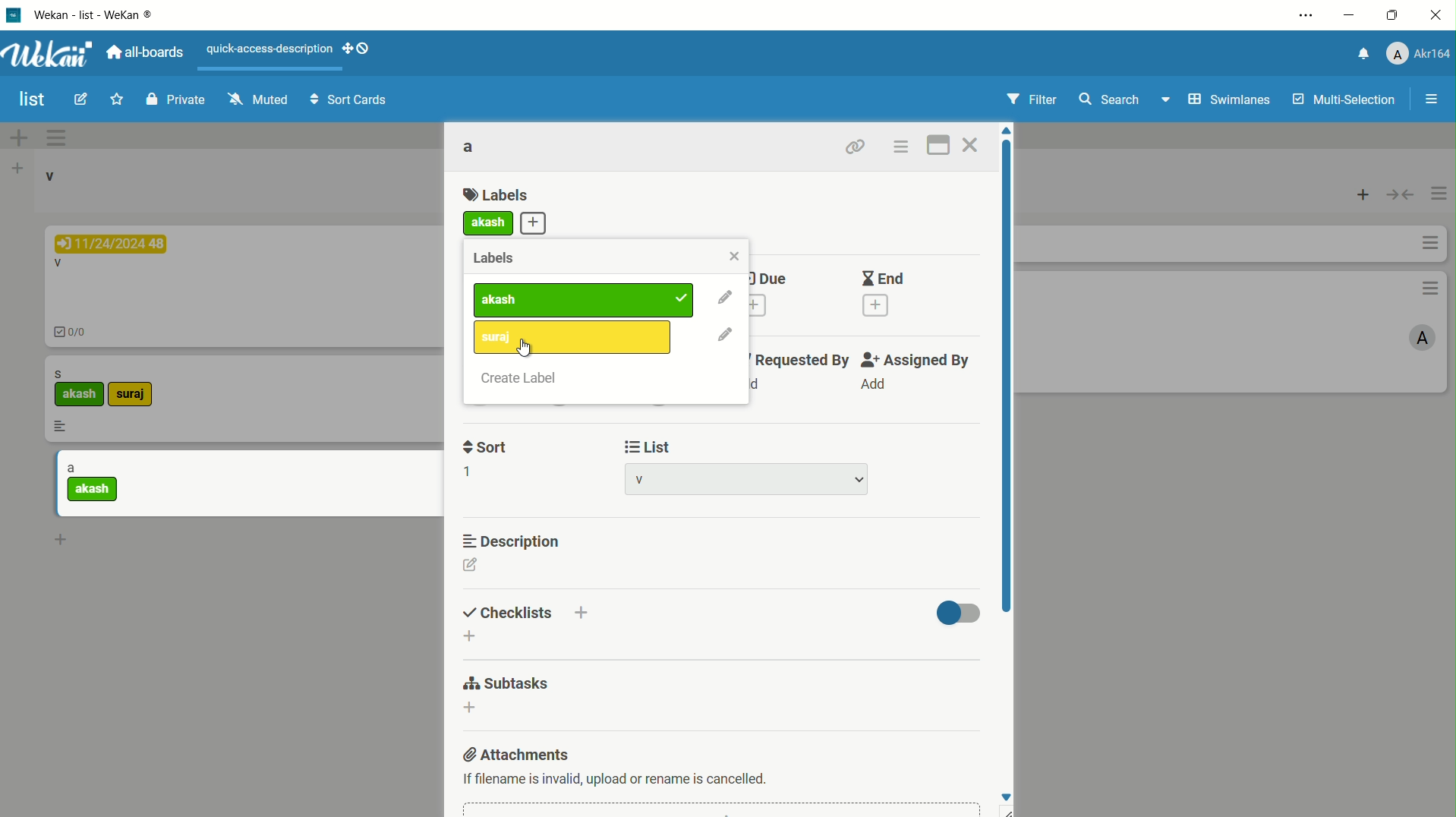  Describe the element at coordinates (785, 276) in the screenshot. I see `Due` at that location.